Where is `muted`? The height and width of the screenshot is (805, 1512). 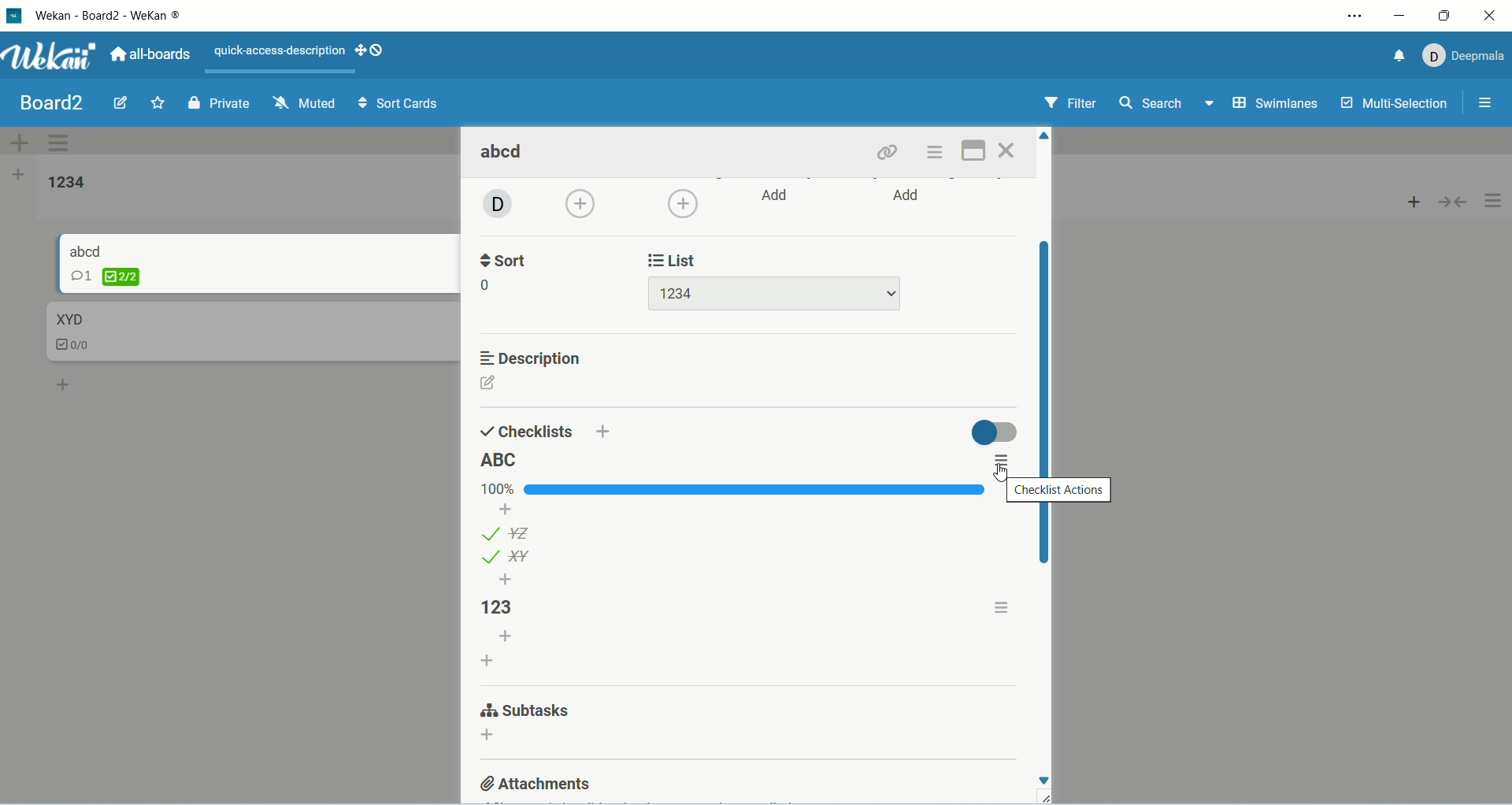
muted is located at coordinates (306, 102).